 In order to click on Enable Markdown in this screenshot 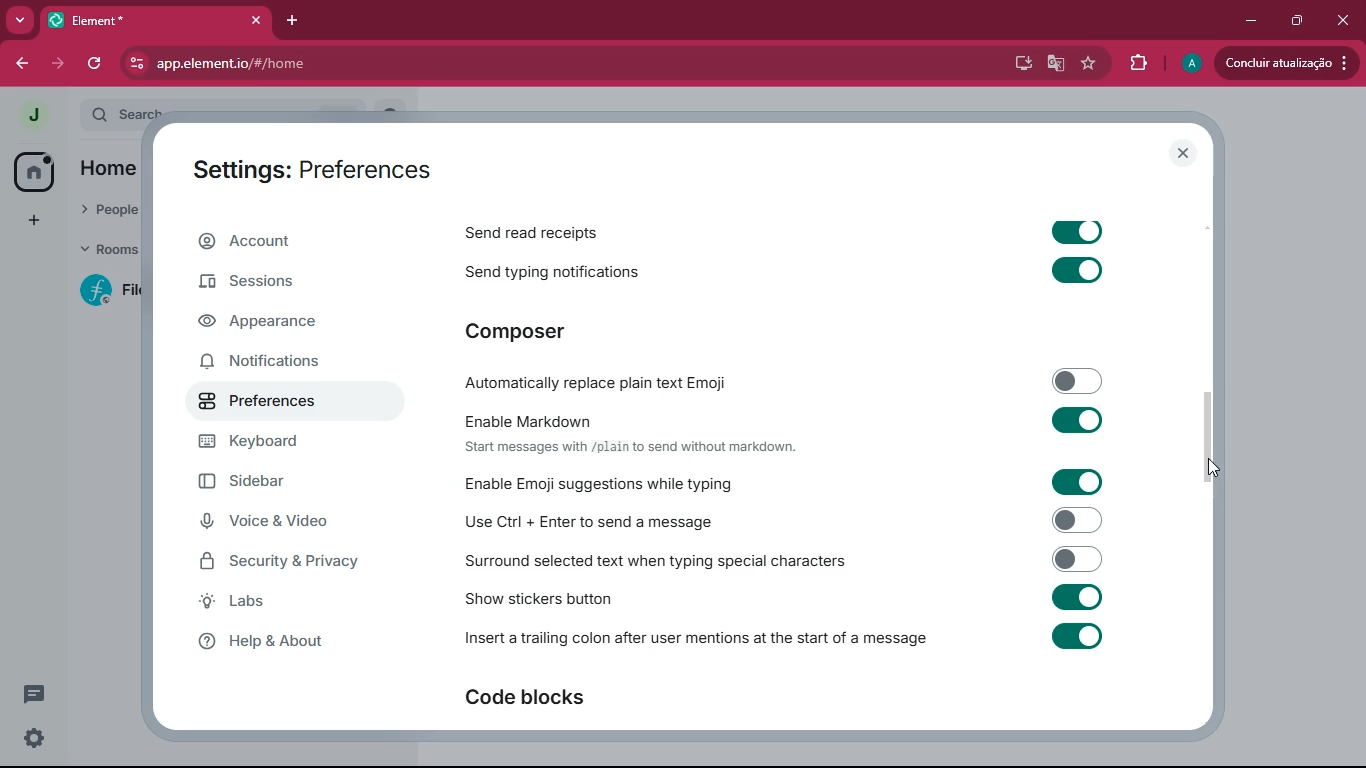, I will do `click(775, 419)`.